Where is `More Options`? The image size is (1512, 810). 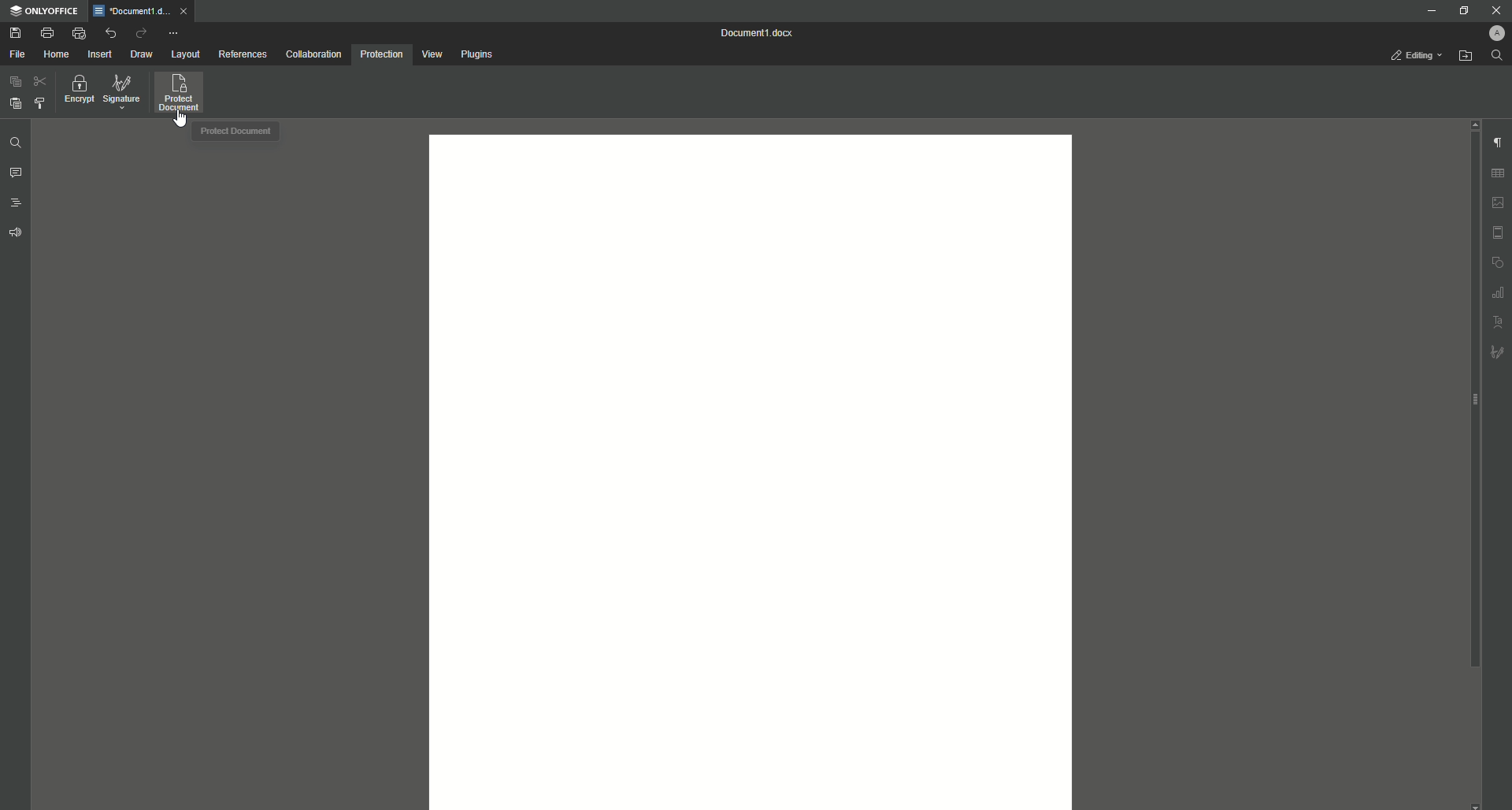 More Options is located at coordinates (175, 32).